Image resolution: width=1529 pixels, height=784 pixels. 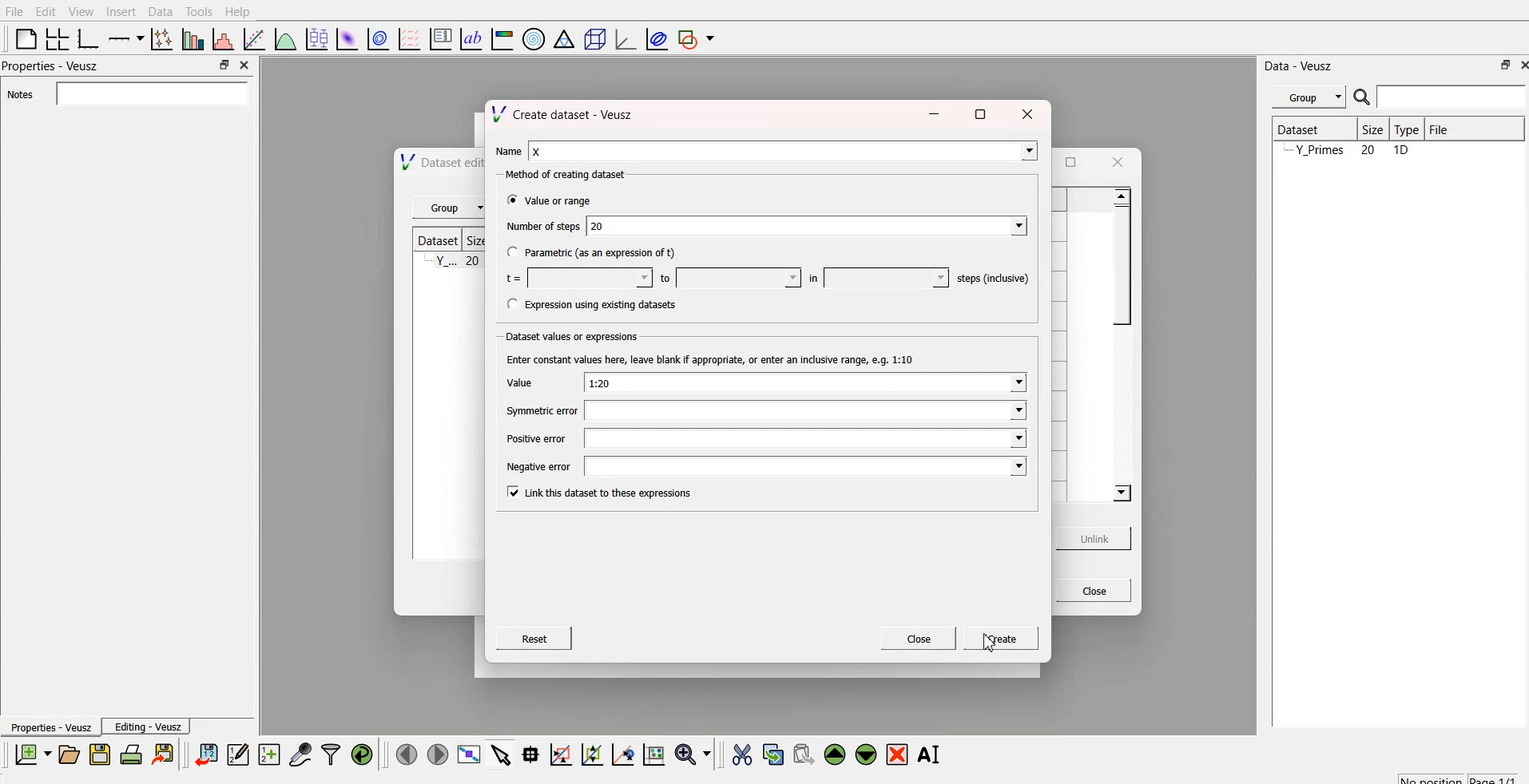 What do you see at coordinates (931, 113) in the screenshot?
I see `minimize` at bounding box center [931, 113].